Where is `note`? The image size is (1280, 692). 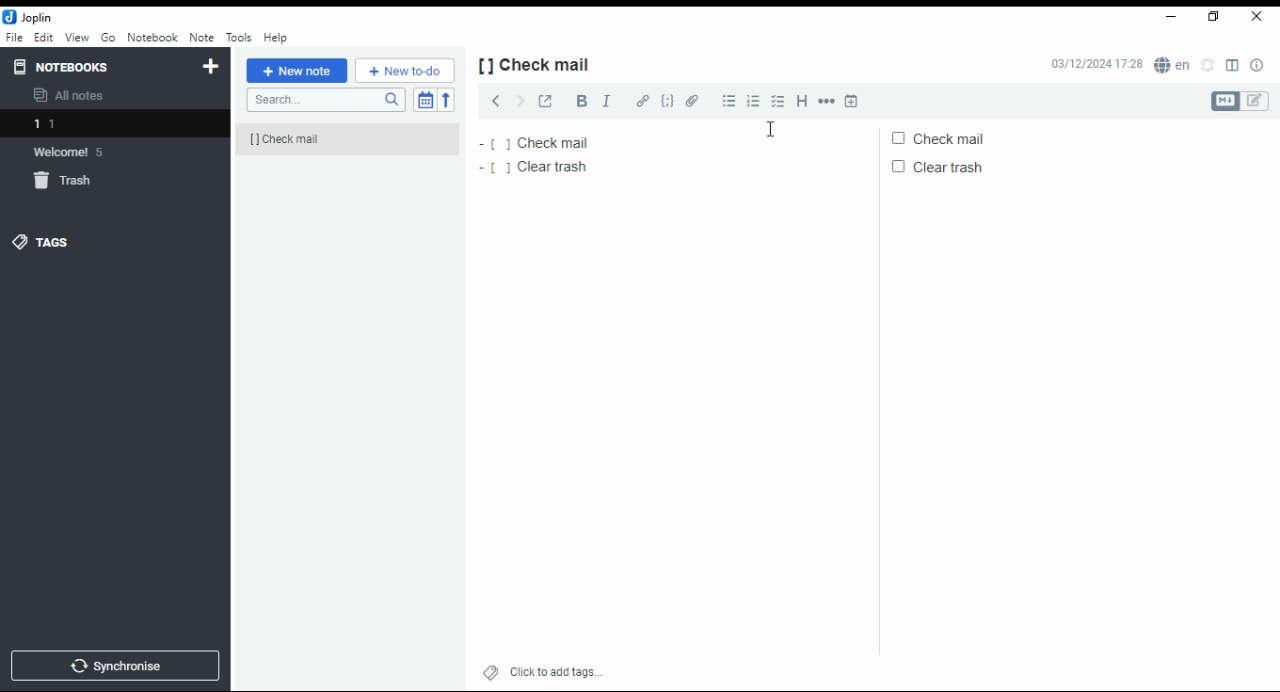 note is located at coordinates (201, 38).